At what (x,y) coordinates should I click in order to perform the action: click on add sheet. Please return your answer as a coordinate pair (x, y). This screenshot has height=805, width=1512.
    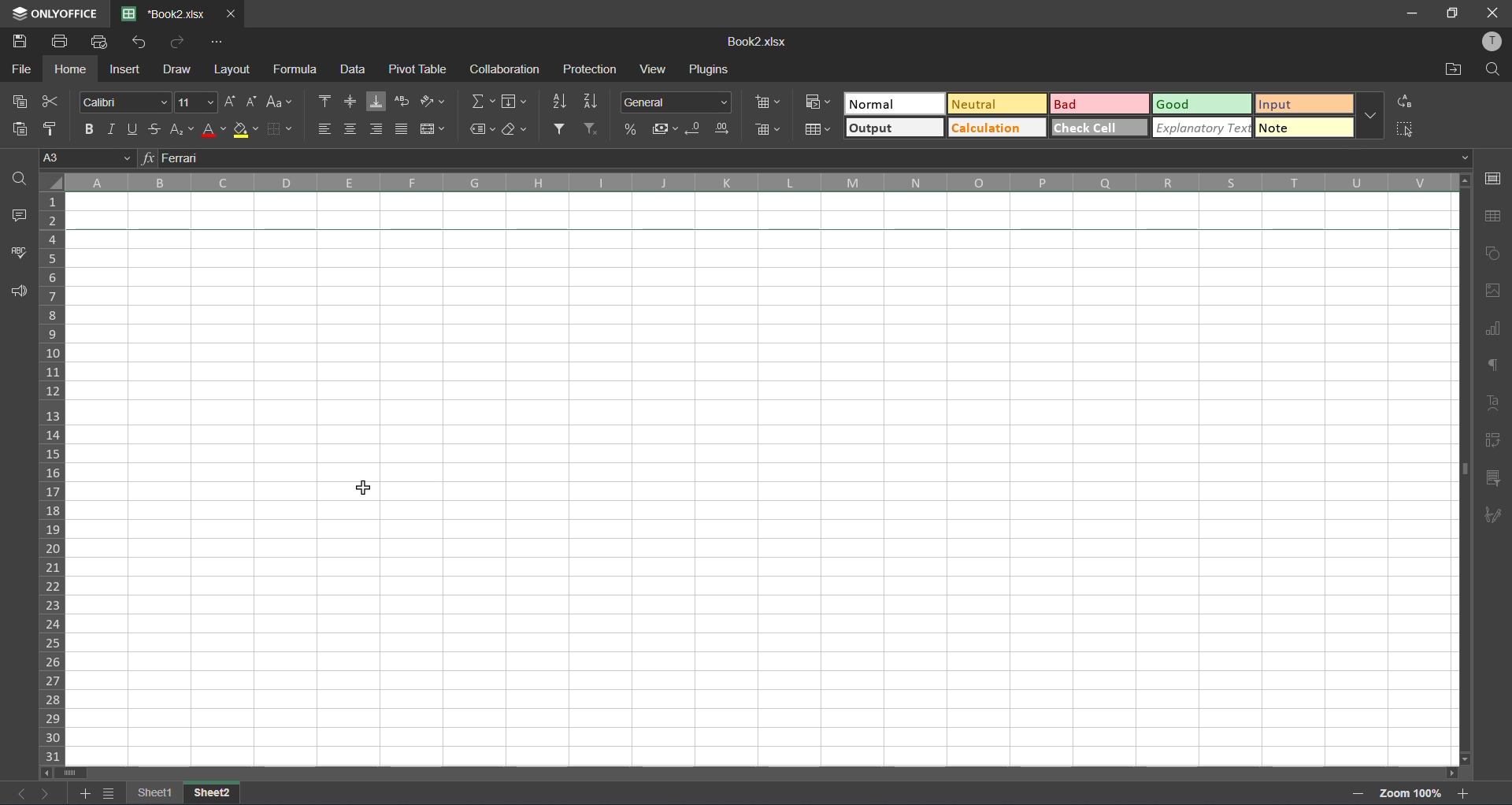
    Looking at the image, I should click on (85, 793).